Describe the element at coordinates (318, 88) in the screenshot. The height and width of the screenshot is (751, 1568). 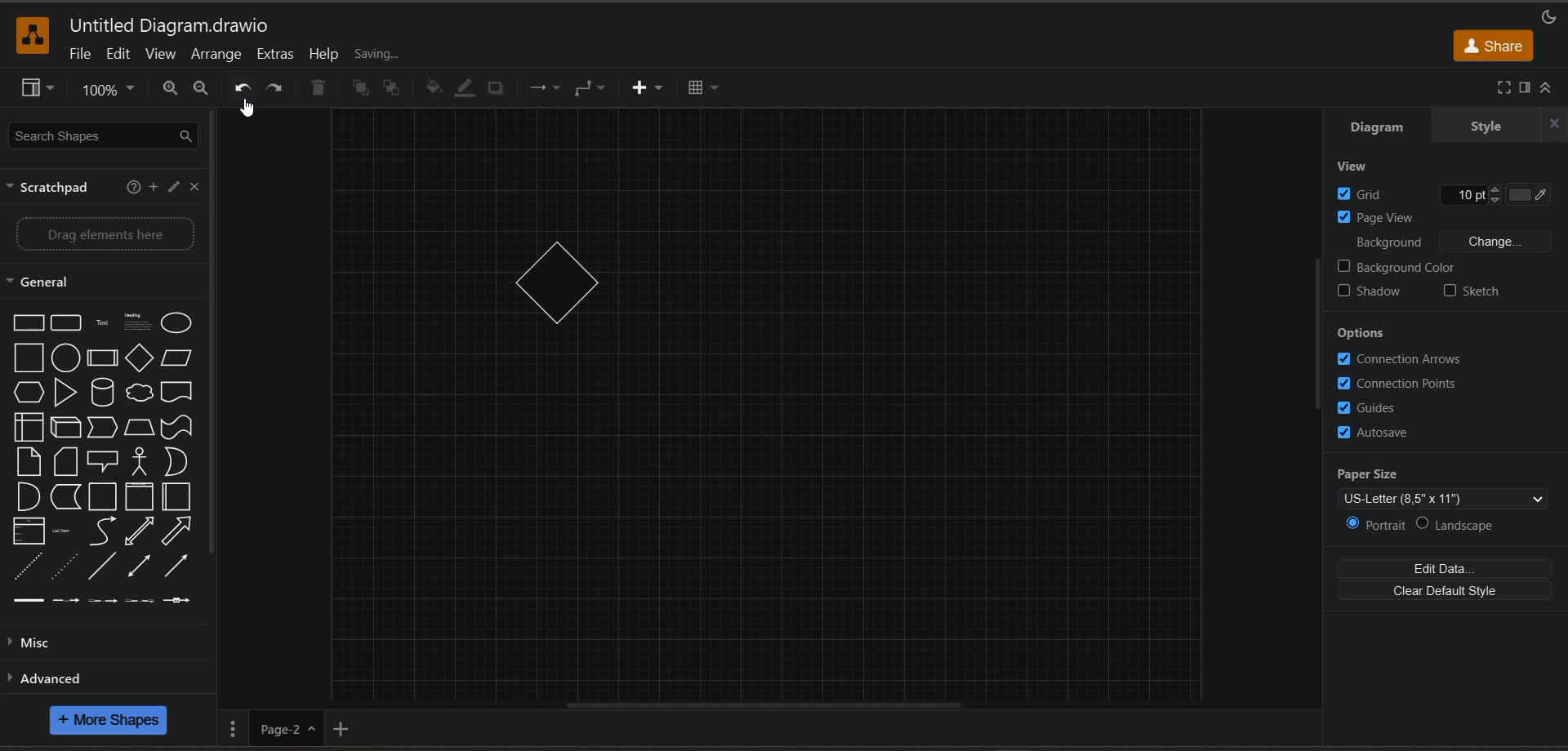
I see `delete` at that location.